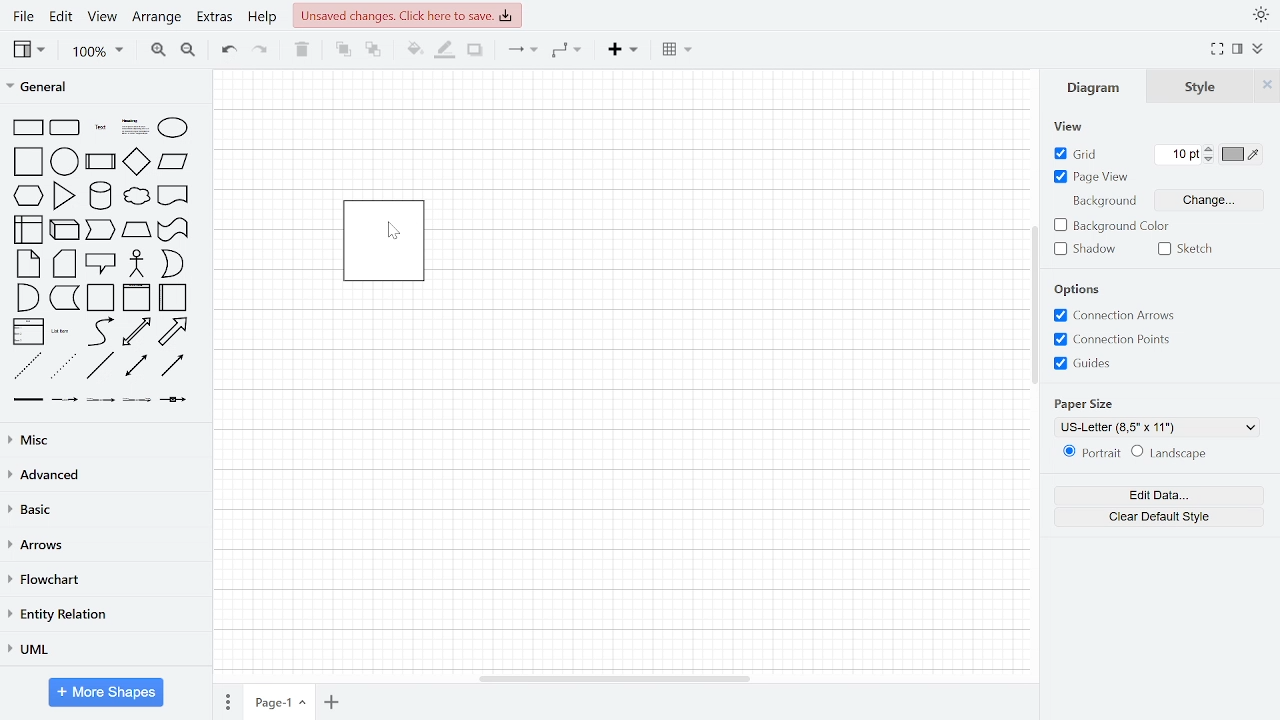 This screenshot has width=1280, height=720. Describe the element at coordinates (102, 298) in the screenshot. I see `container` at that location.